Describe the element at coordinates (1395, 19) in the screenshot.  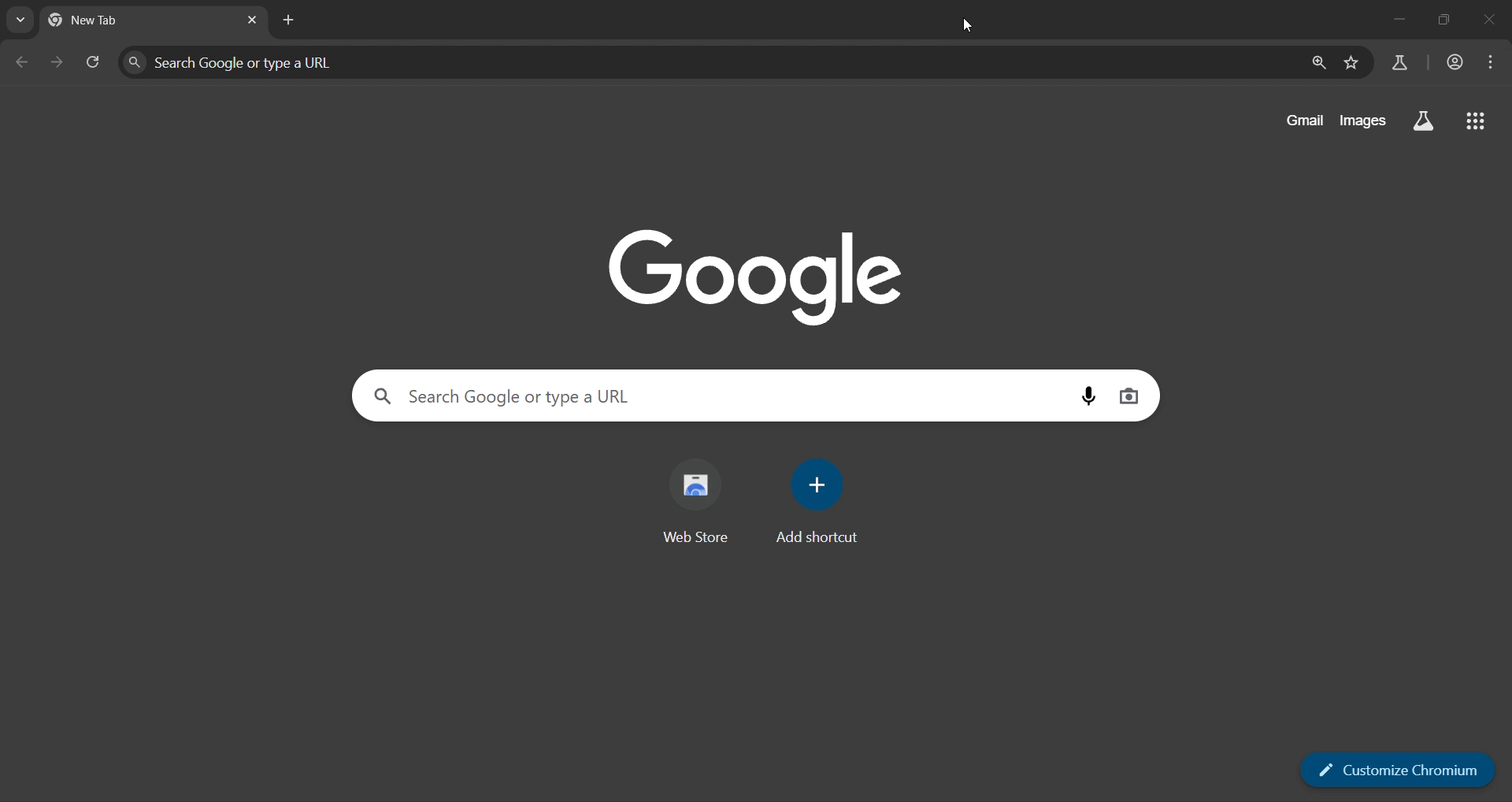
I see `minimize` at that location.